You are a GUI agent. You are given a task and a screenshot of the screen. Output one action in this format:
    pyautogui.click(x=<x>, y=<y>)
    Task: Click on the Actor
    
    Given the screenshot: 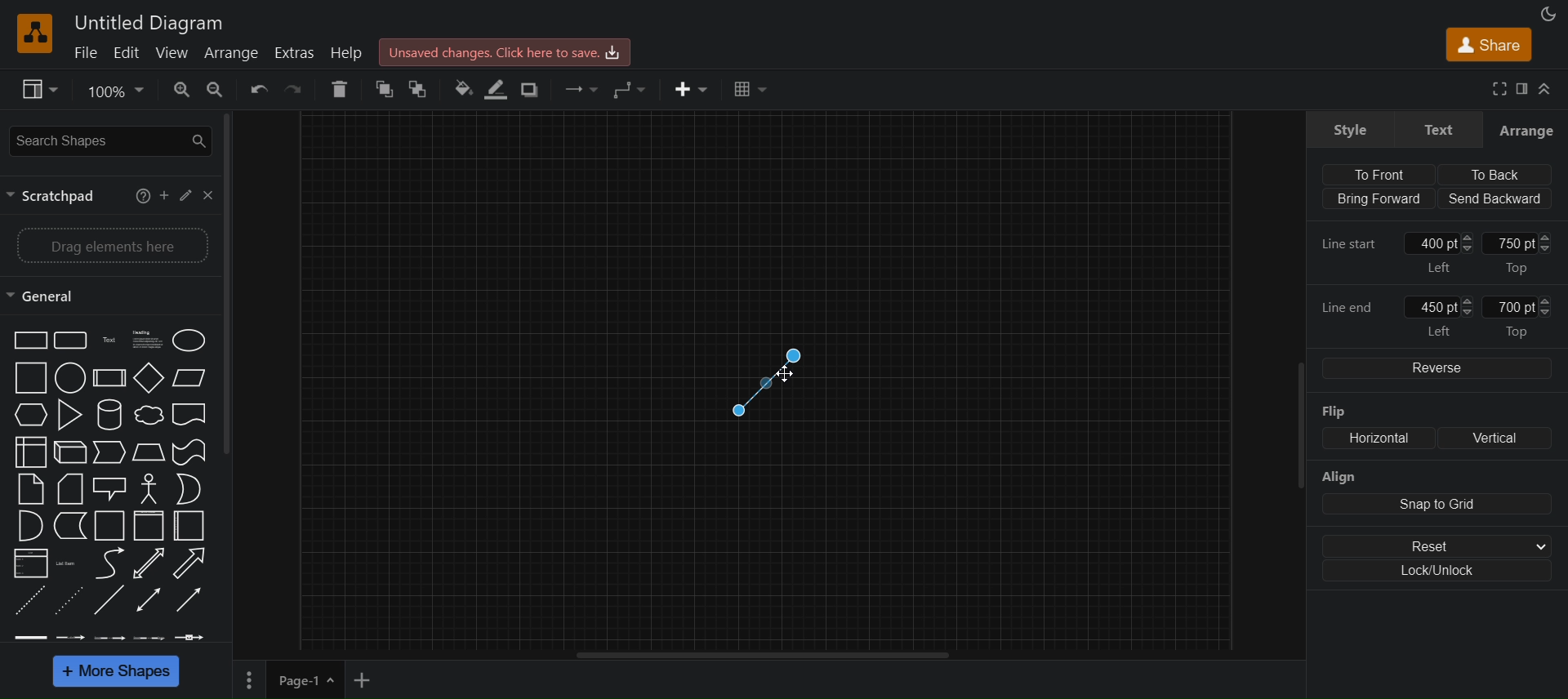 What is the action you would take?
    pyautogui.click(x=149, y=488)
    